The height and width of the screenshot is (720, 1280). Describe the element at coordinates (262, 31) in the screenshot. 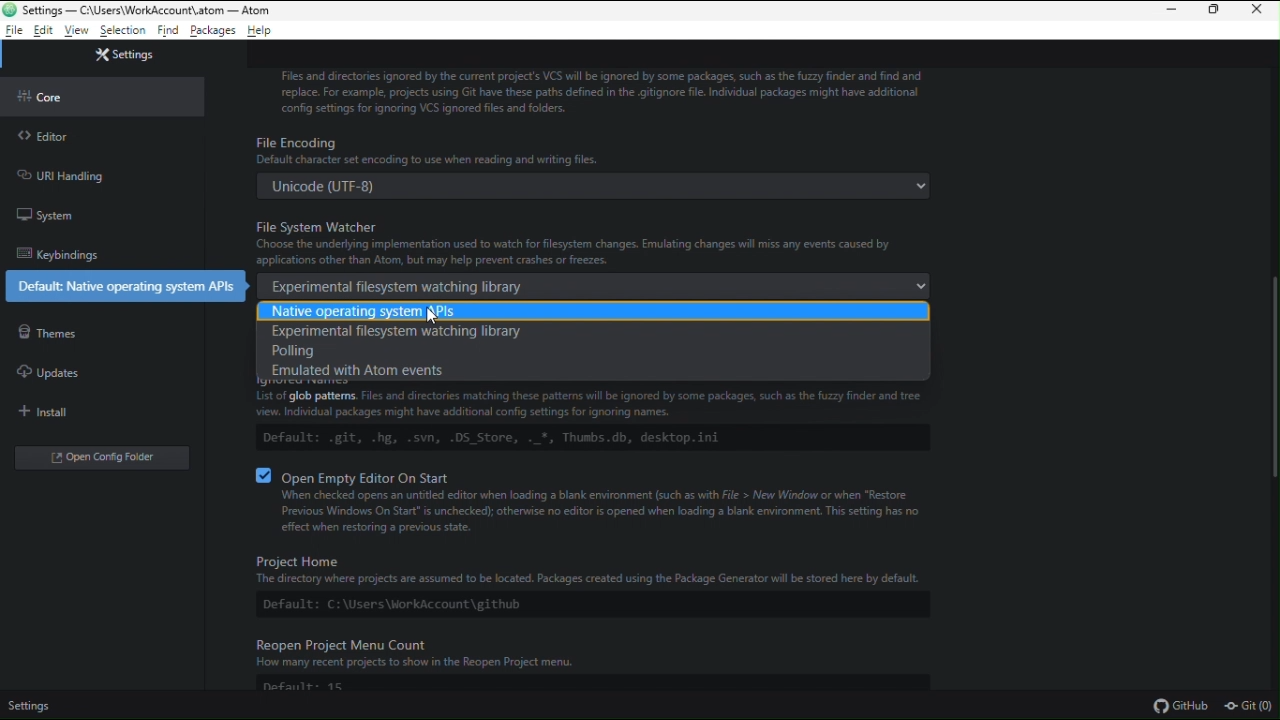

I see `help` at that location.